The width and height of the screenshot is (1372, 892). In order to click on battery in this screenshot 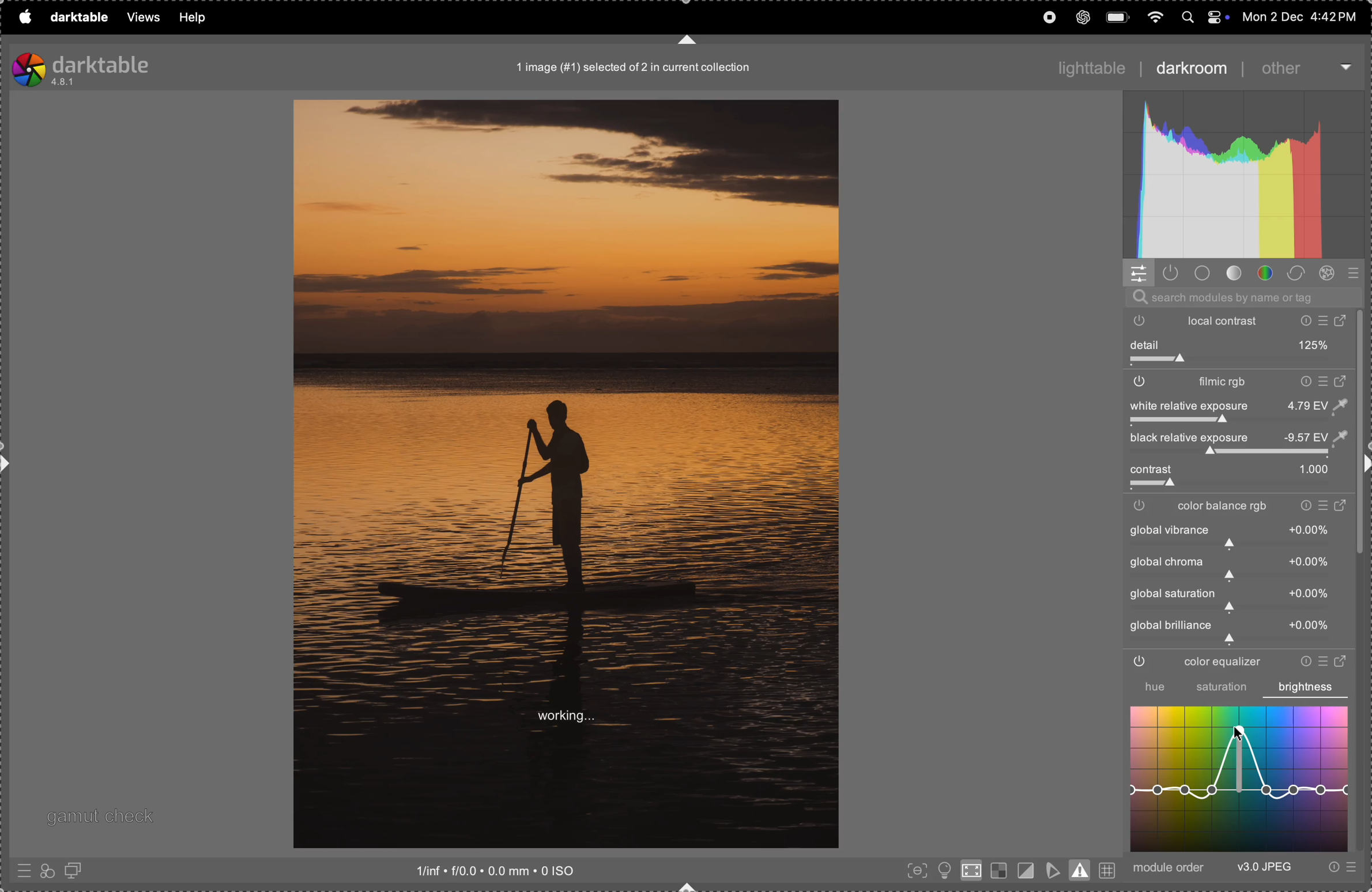, I will do `click(1118, 16)`.